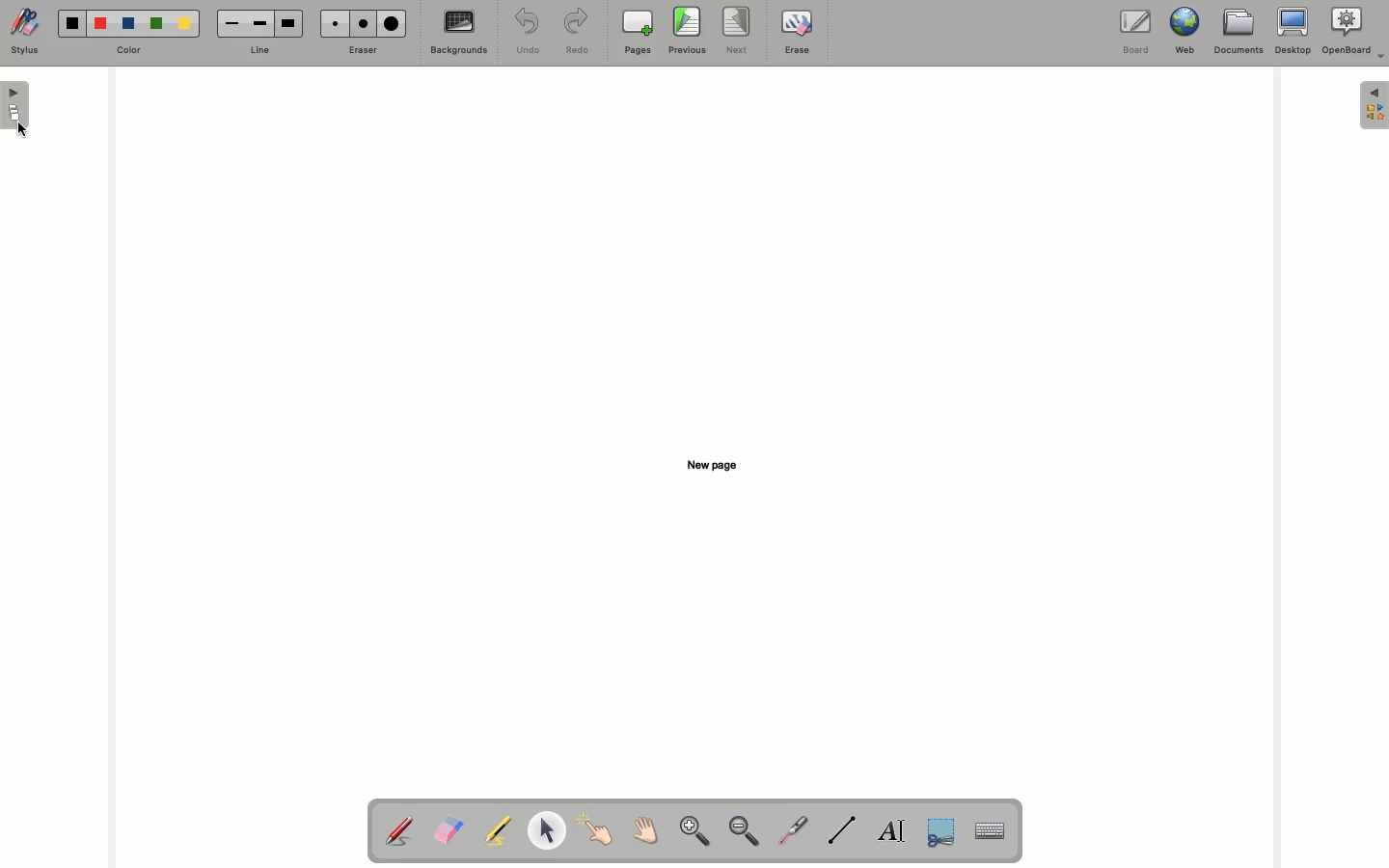 This screenshot has width=1389, height=868. Describe the element at coordinates (259, 23) in the screenshot. I see `Medium line` at that location.